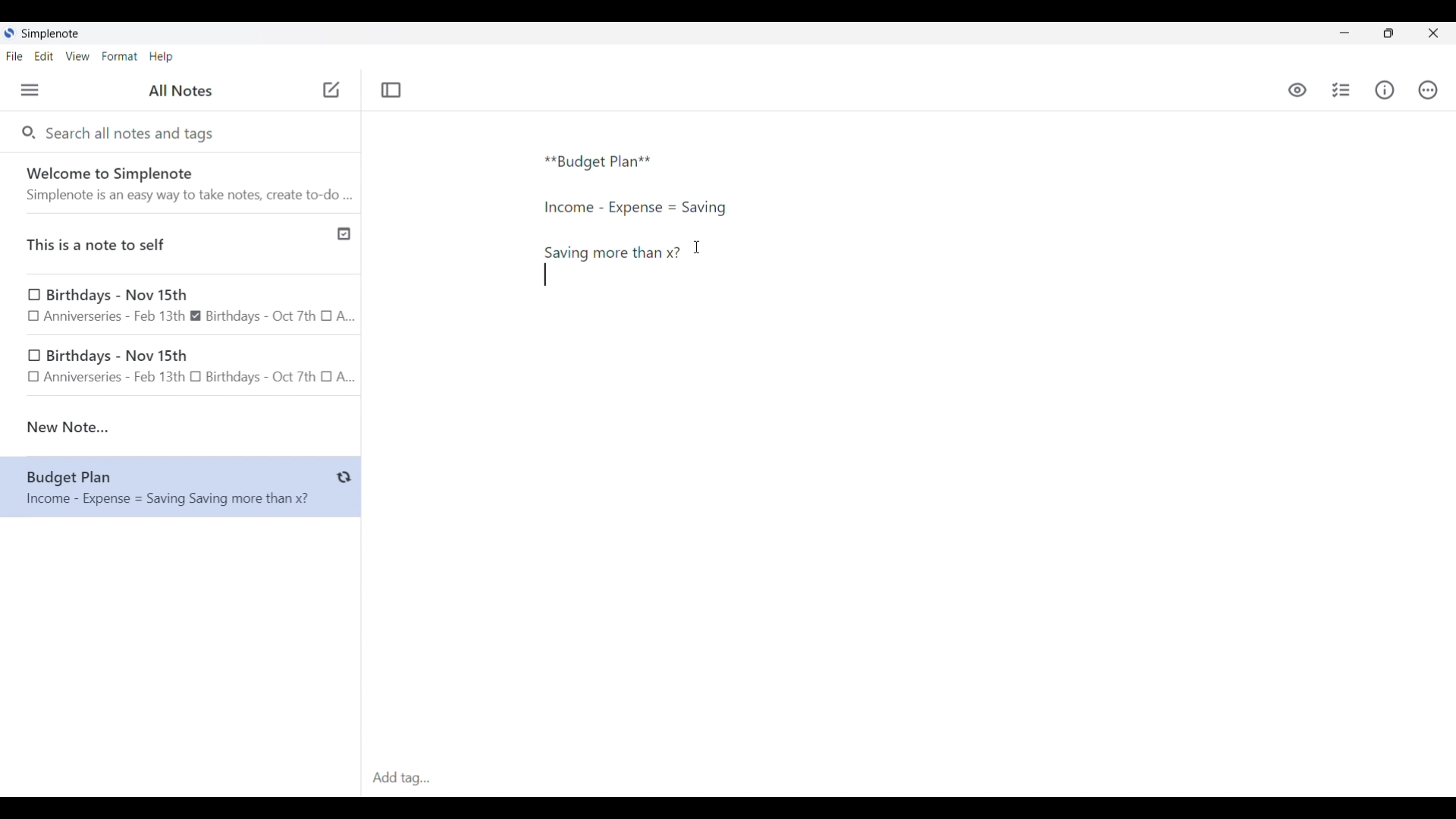  I want to click on Edit menu, so click(45, 55).